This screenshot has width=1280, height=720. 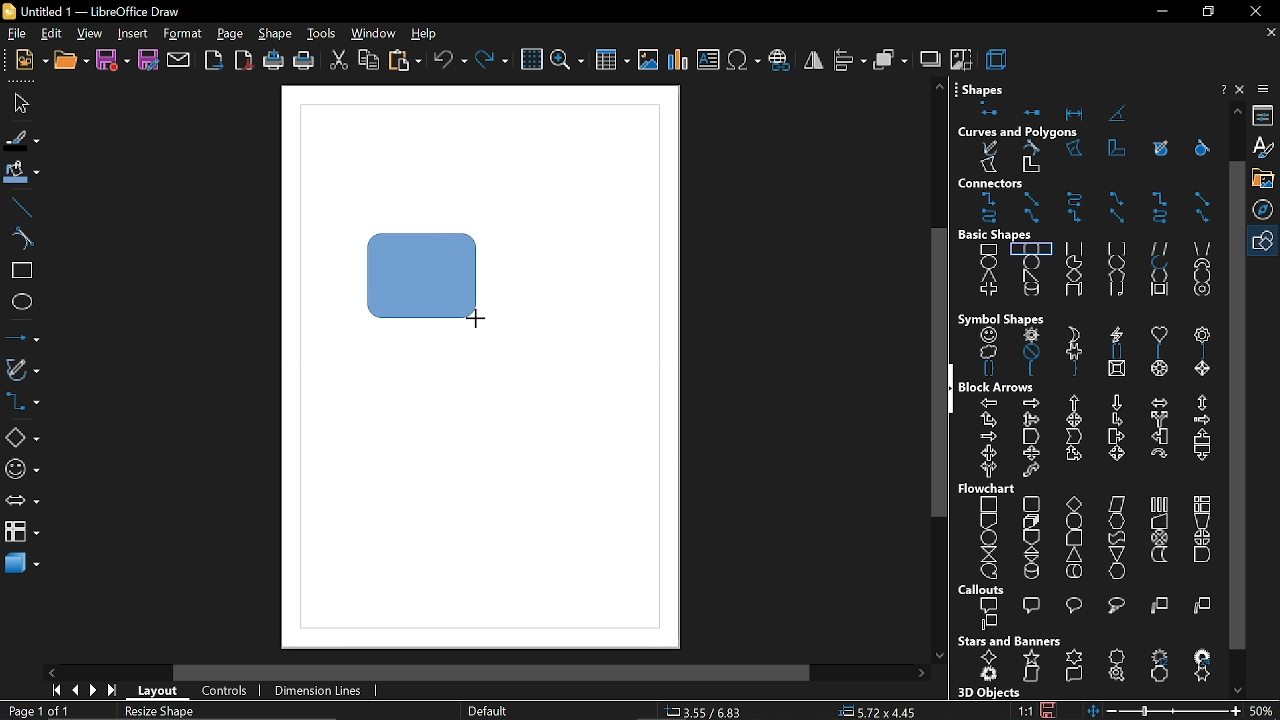 What do you see at coordinates (1093, 209) in the screenshot?
I see `connectors` at bounding box center [1093, 209].